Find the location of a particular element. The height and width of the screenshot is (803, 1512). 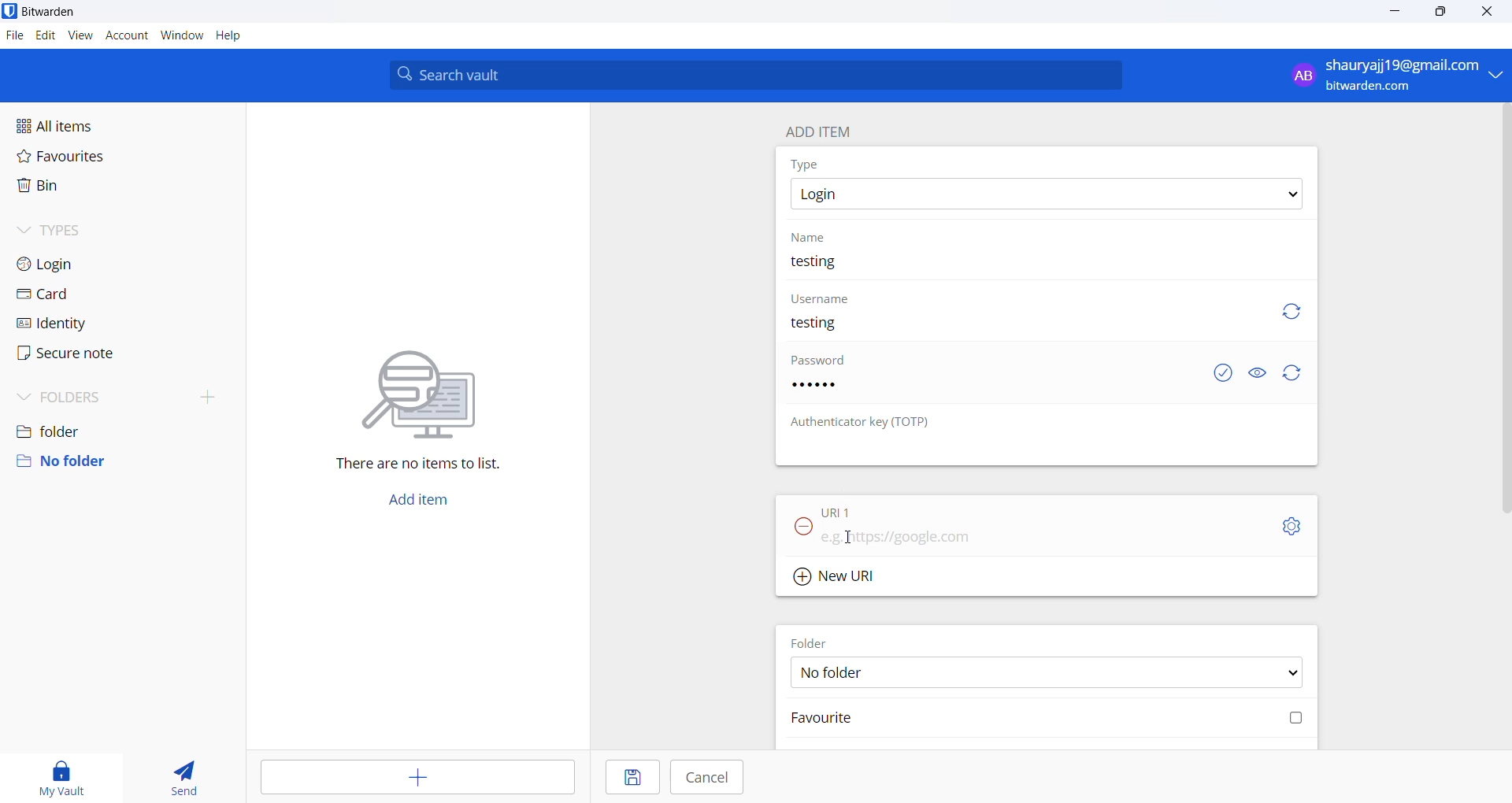

view is located at coordinates (78, 36).